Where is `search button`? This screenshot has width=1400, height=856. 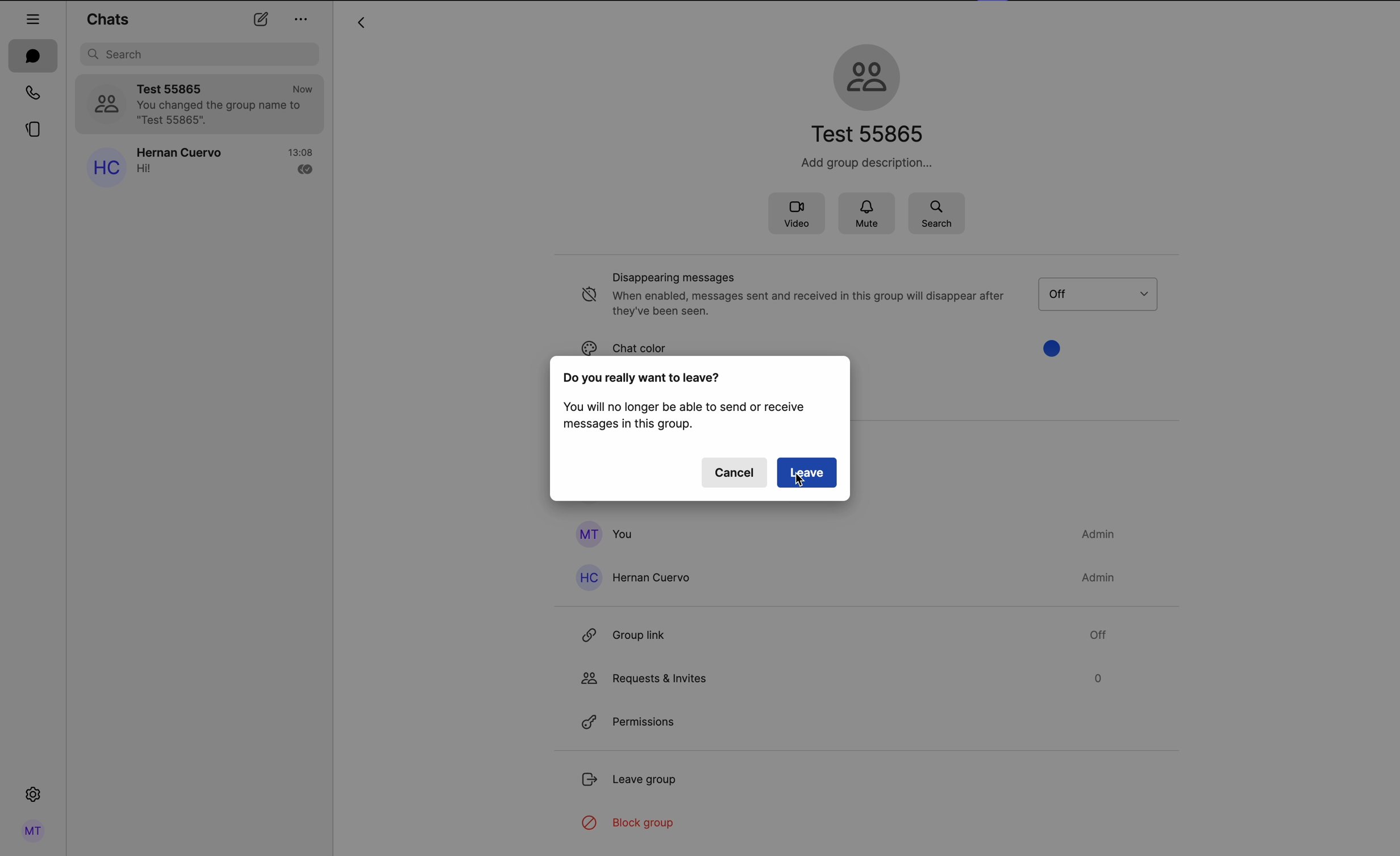 search button is located at coordinates (936, 213).